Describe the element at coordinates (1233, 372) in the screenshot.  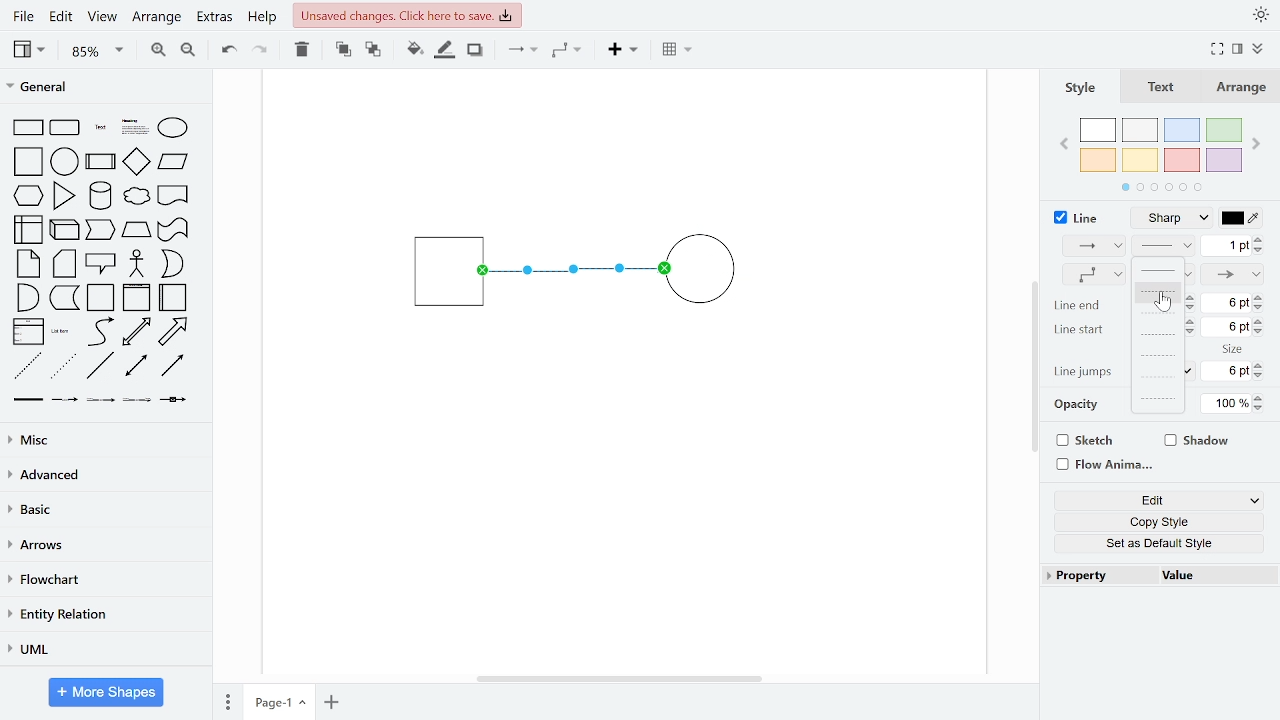
I see `change line jumps` at that location.